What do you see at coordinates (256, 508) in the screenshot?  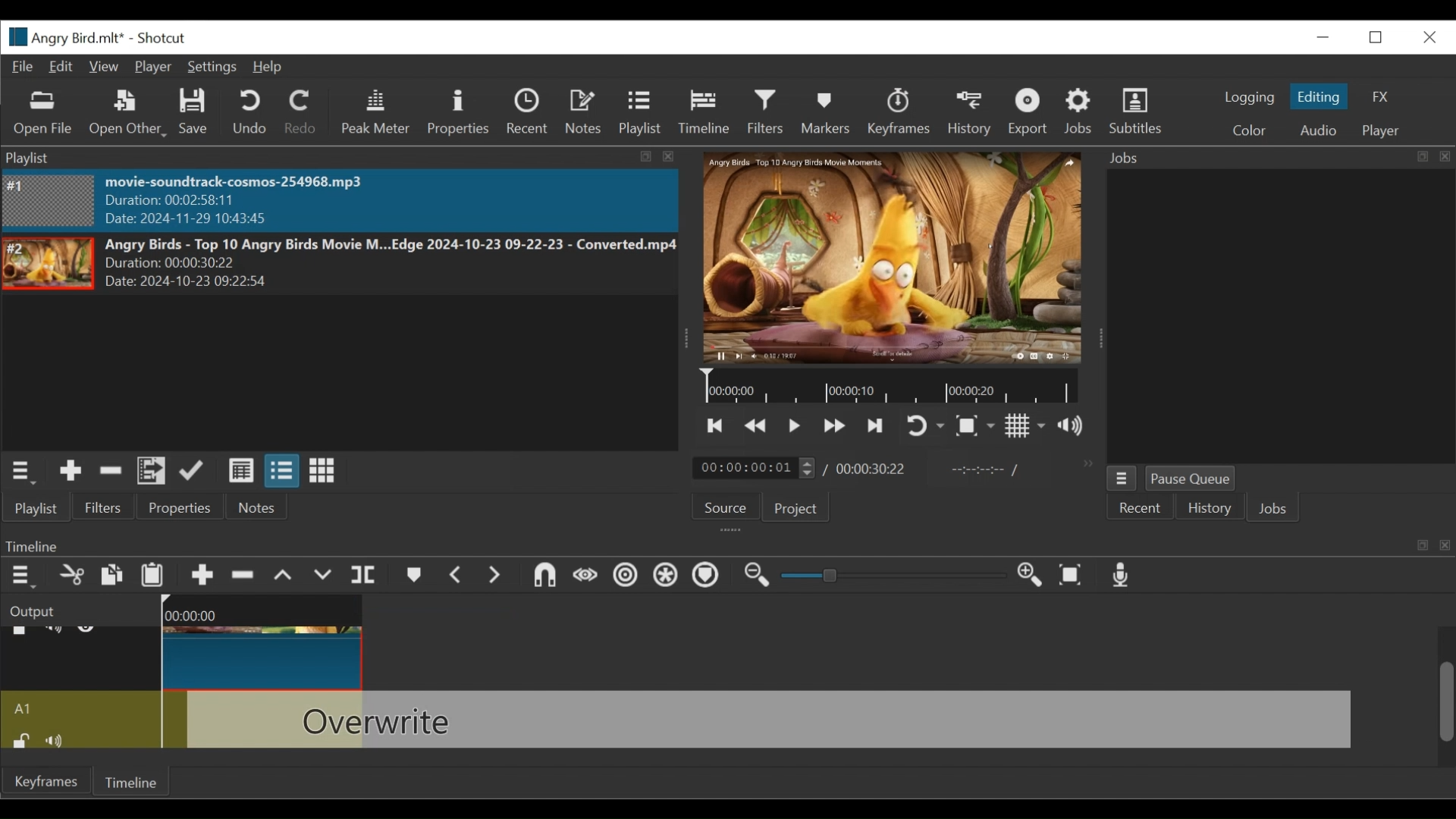 I see `Notes` at bounding box center [256, 508].